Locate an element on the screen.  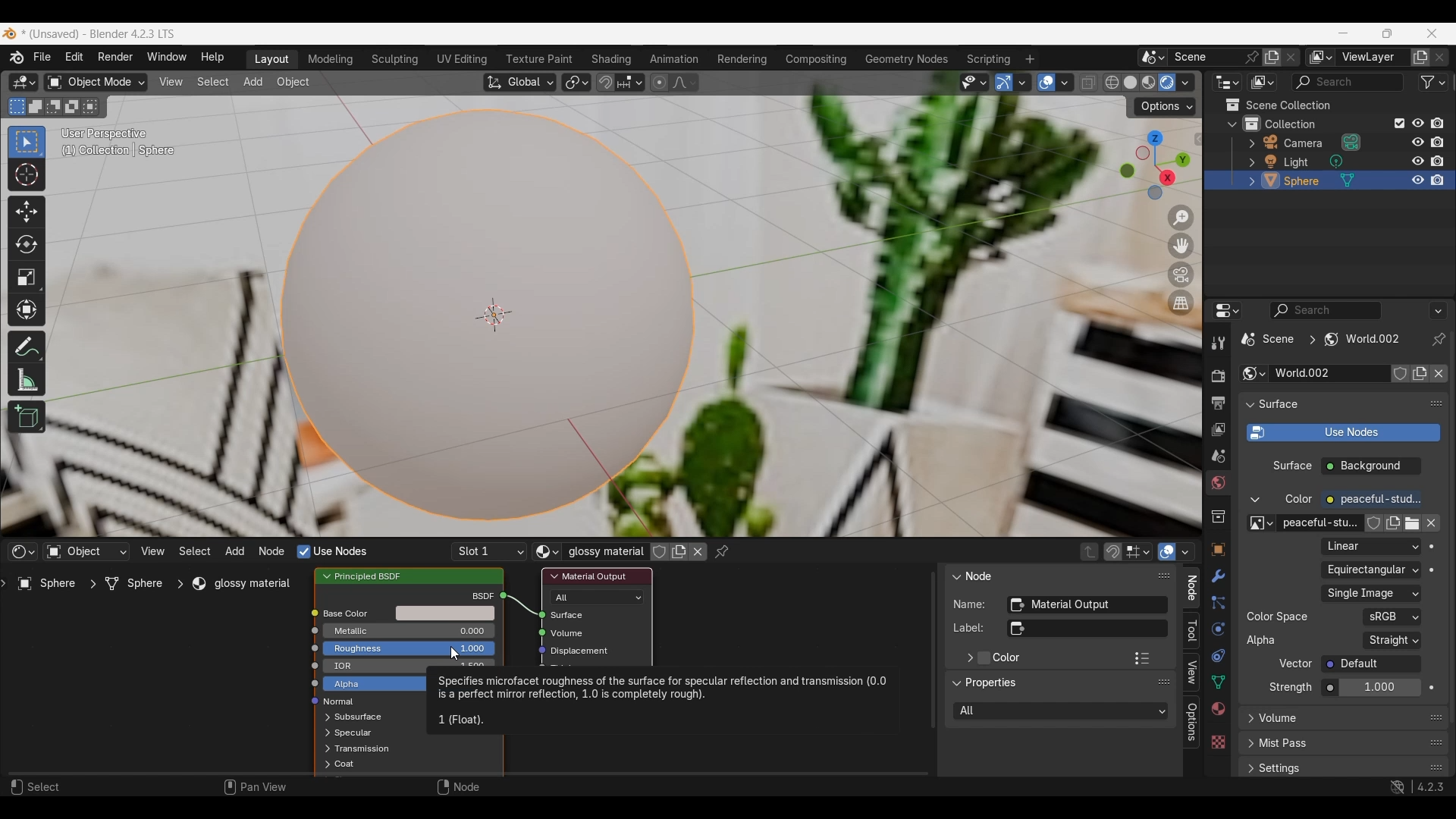
Expand respective options is located at coordinates (323, 718).